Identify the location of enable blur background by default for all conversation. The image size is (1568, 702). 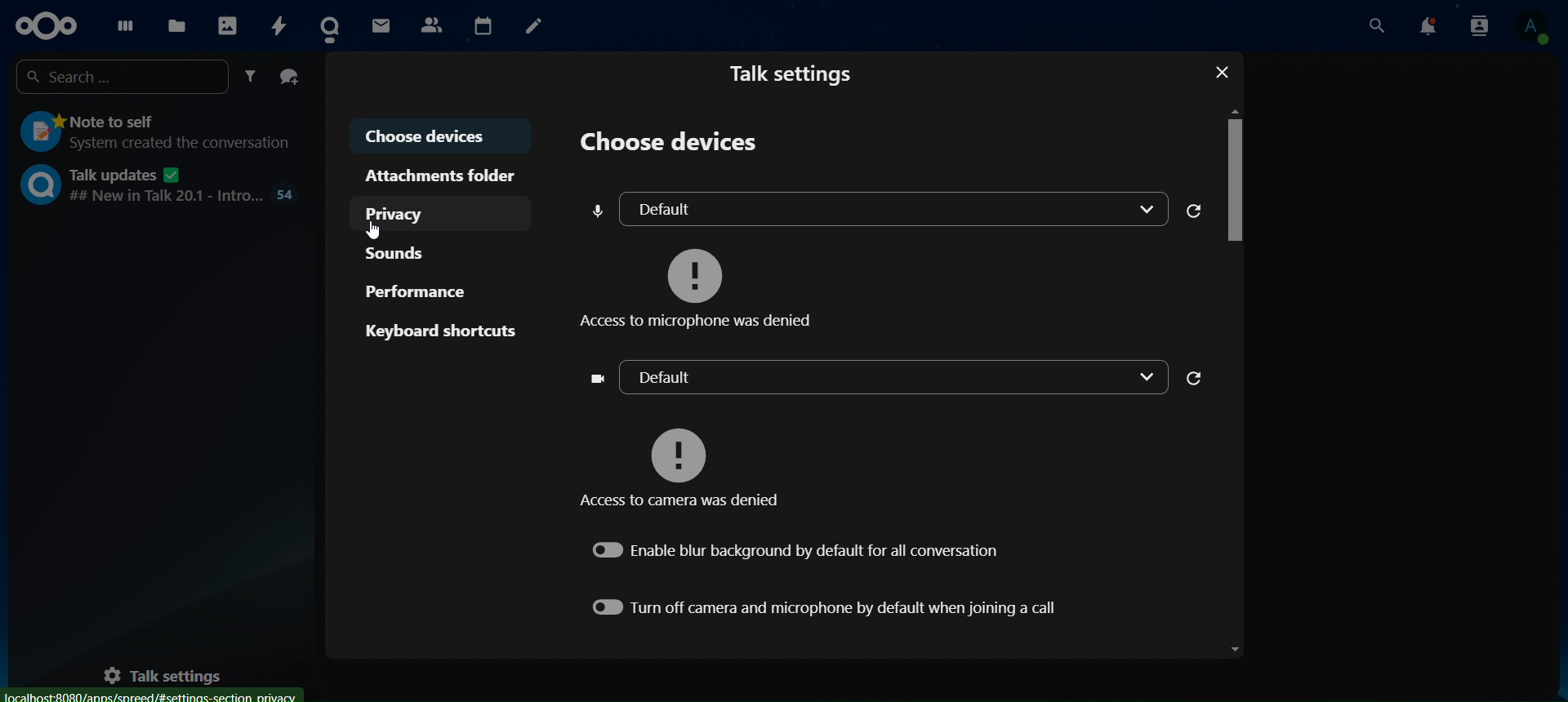
(800, 548).